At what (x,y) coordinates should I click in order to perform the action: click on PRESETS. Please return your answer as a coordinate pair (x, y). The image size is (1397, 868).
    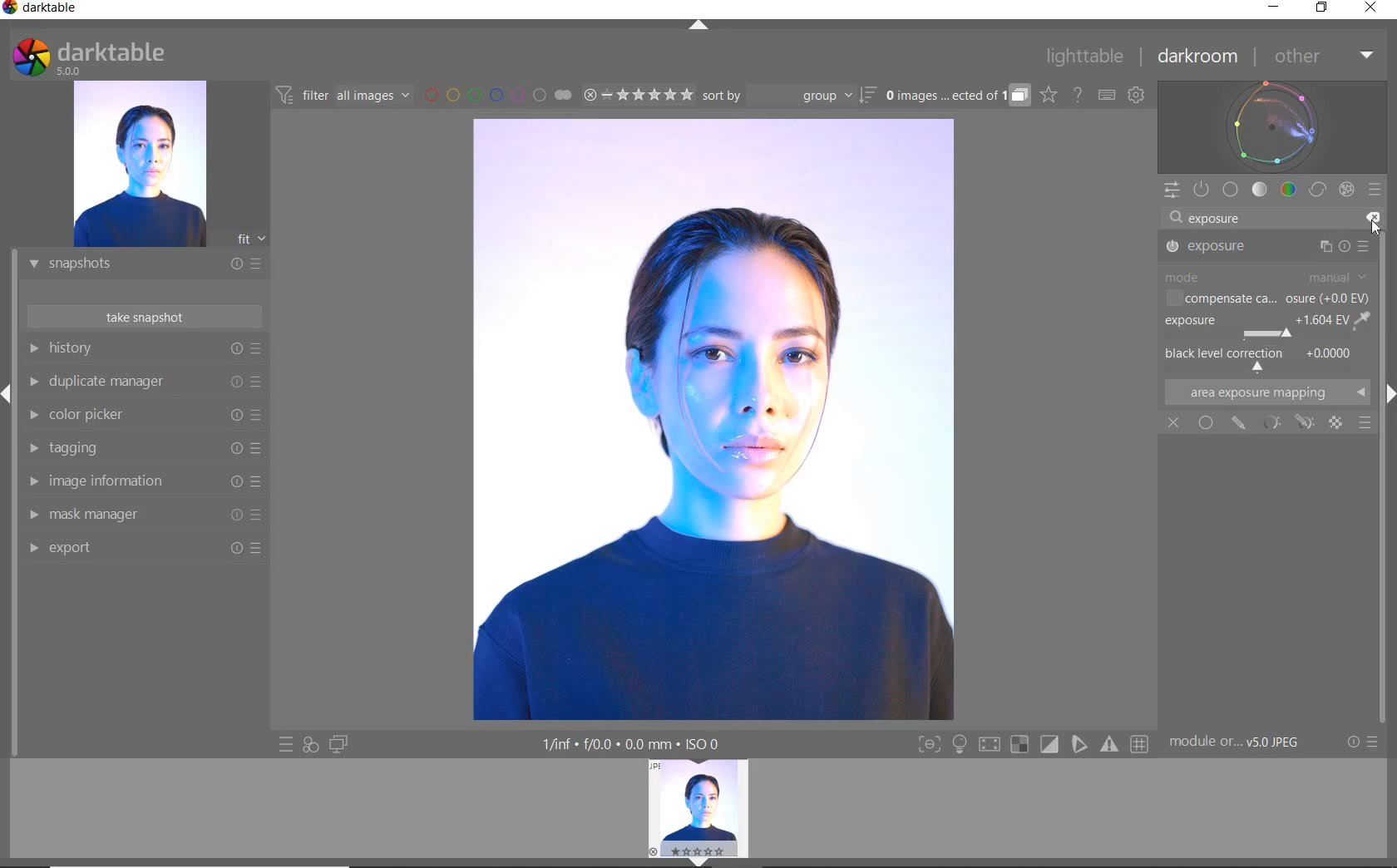
    Looking at the image, I should click on (1375, 189).